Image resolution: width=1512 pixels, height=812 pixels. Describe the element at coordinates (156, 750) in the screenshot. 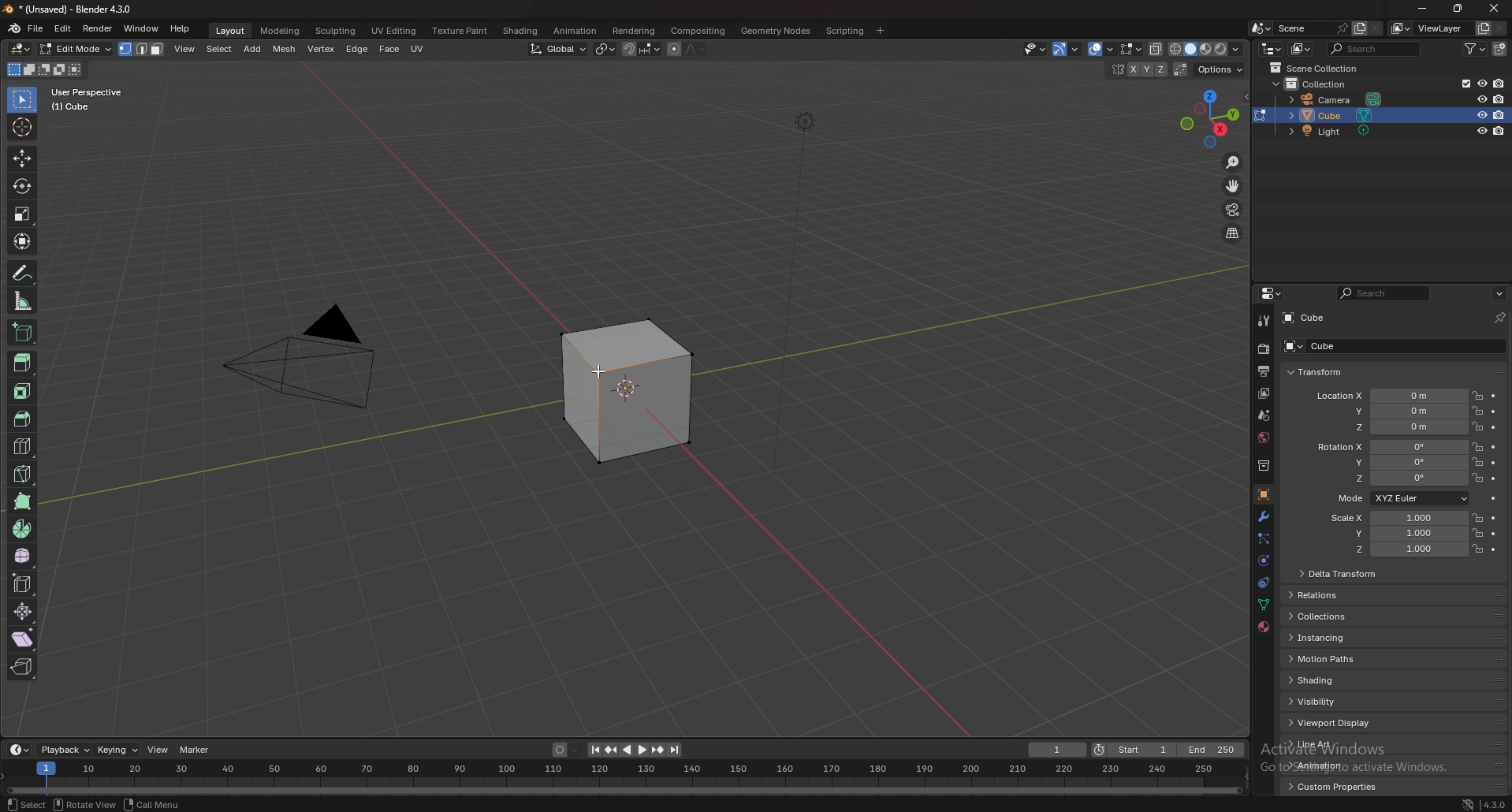

I see `view` at that location.